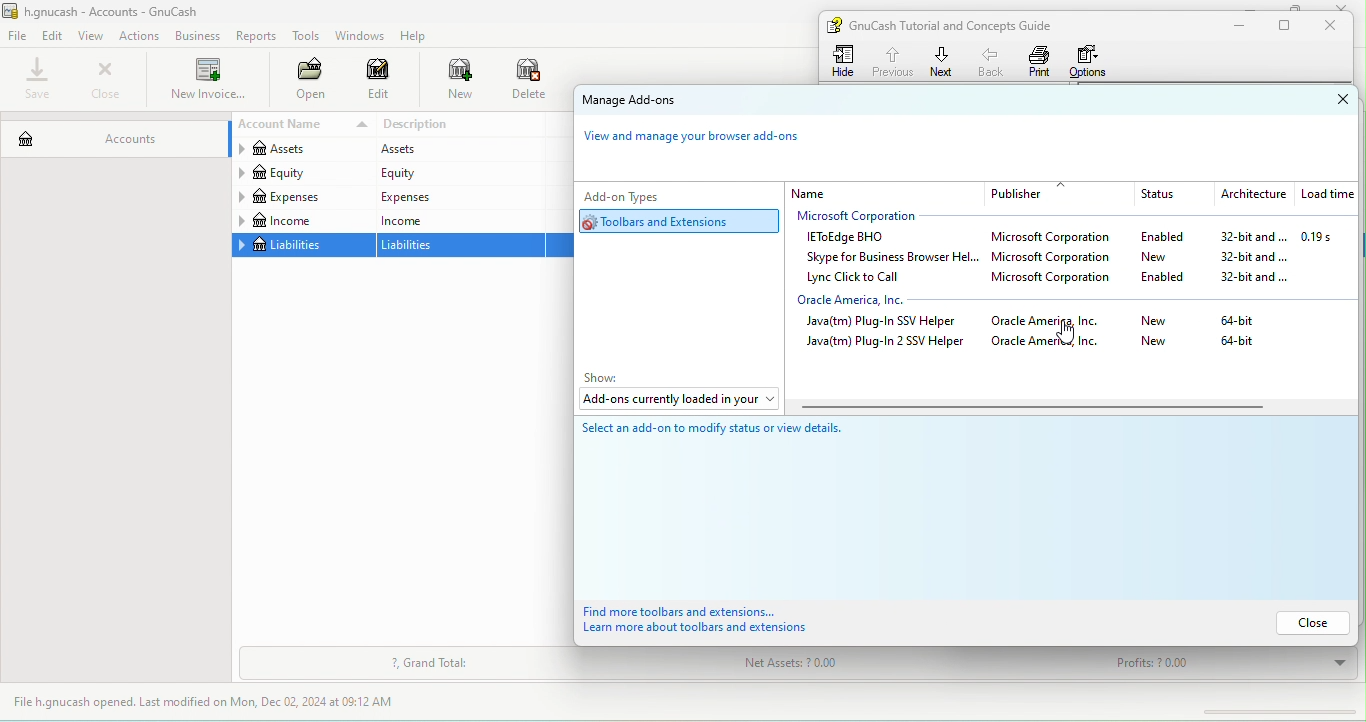 Image resolution: width=1366 pixels, height=722 pixels. What do you see at coordinates (358, 36) in the screenshot?
I see `windows` at bounding box center [358, 36].